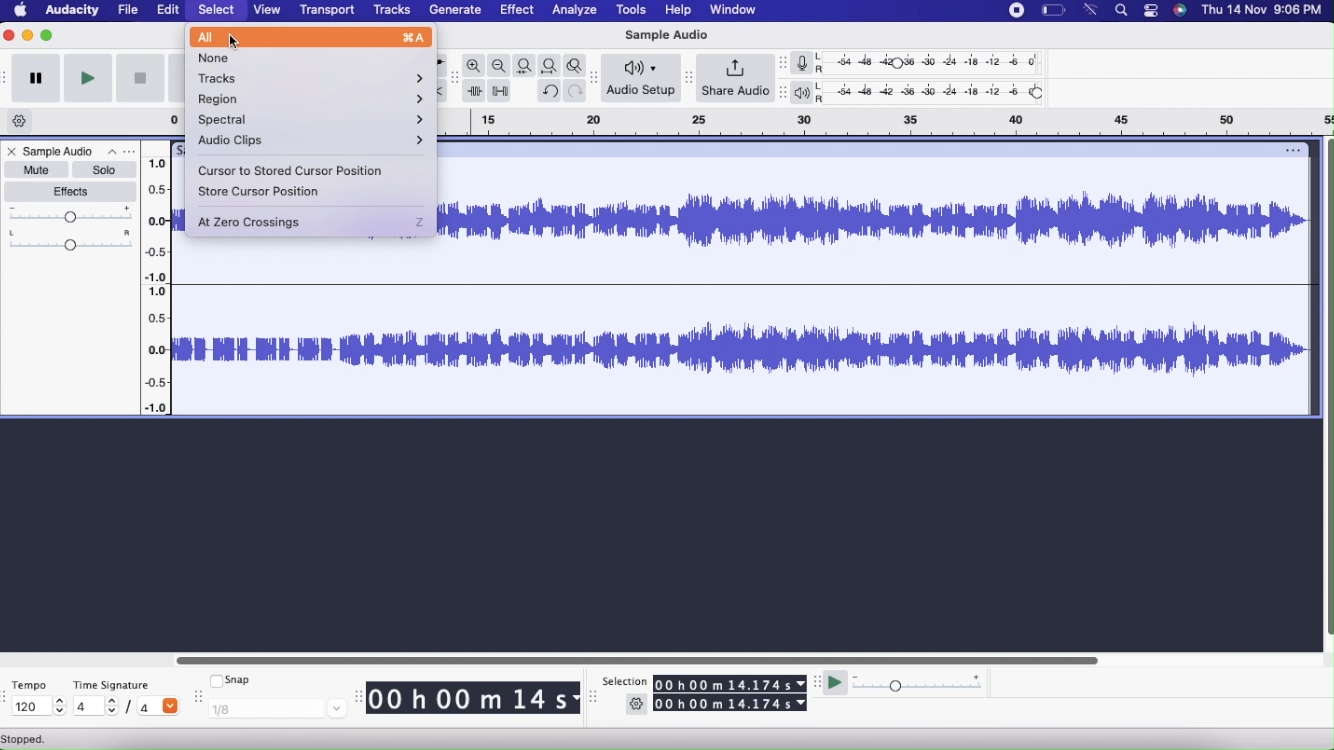 The image size is (1334, 750). I want to click on Fit selection to width, so click(526, 64).